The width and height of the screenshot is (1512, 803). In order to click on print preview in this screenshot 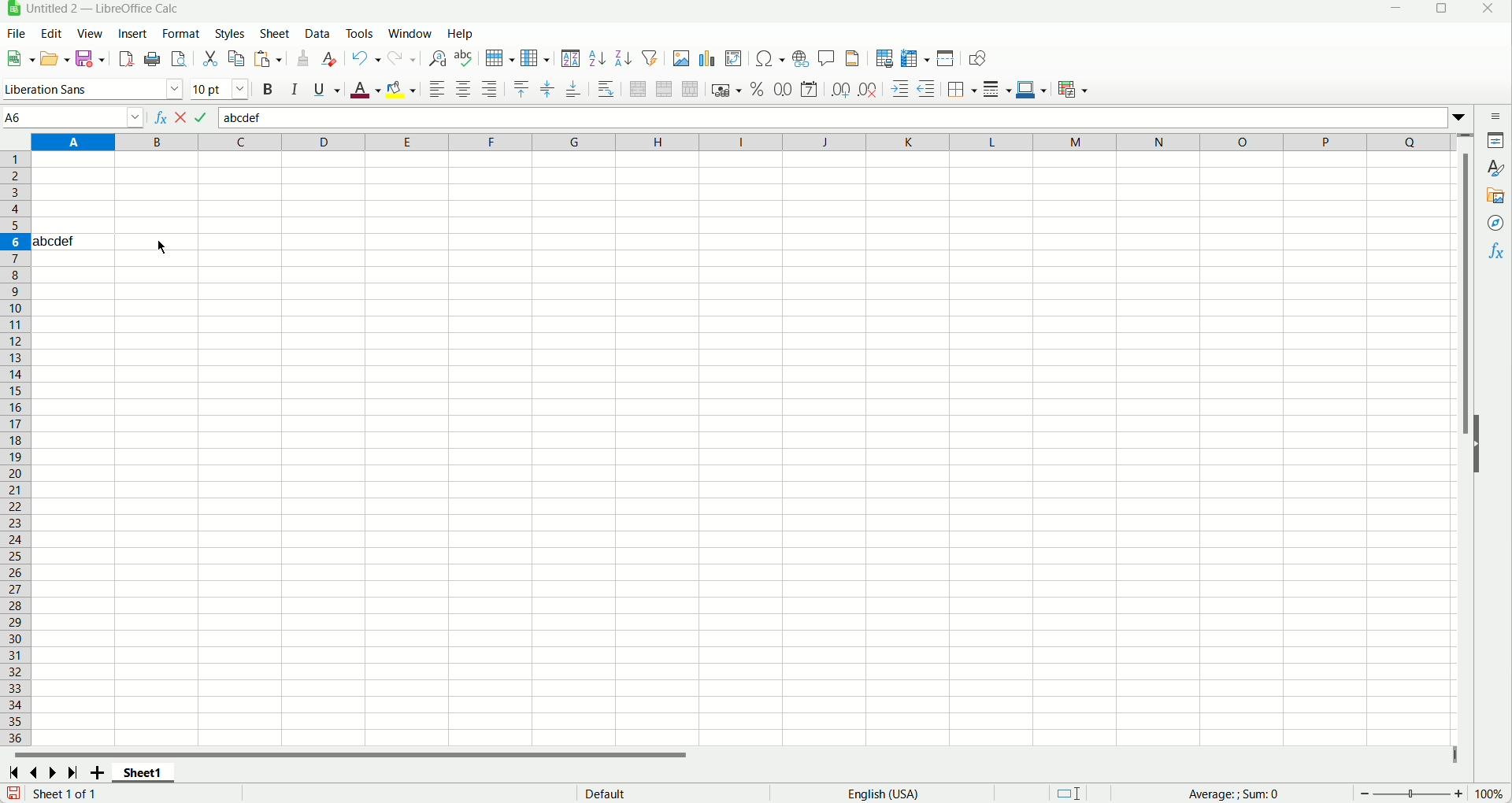, I will do `click(180, 58)`.